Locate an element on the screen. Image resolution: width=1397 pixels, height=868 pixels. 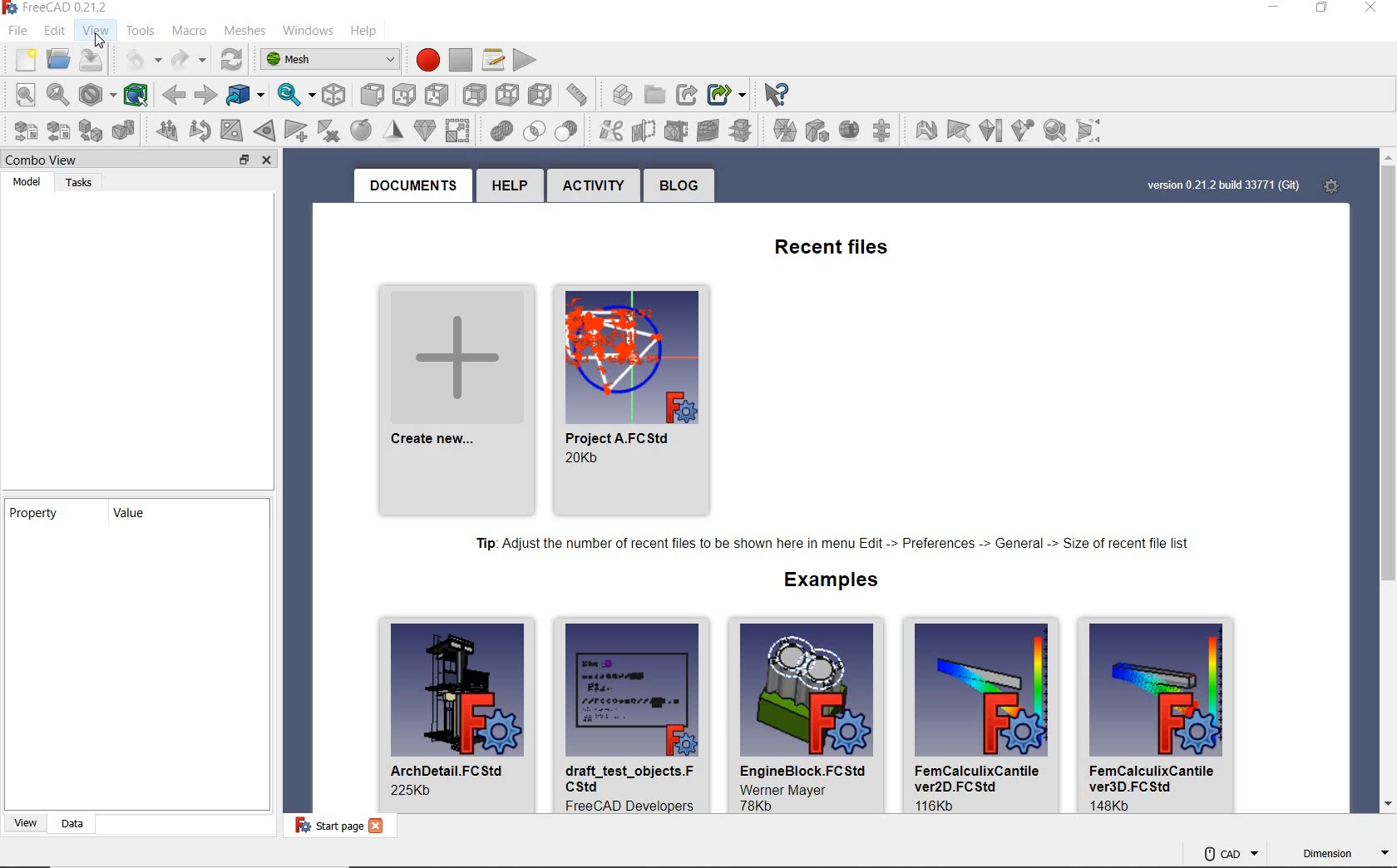
documents is located at coordinates (413, 185).